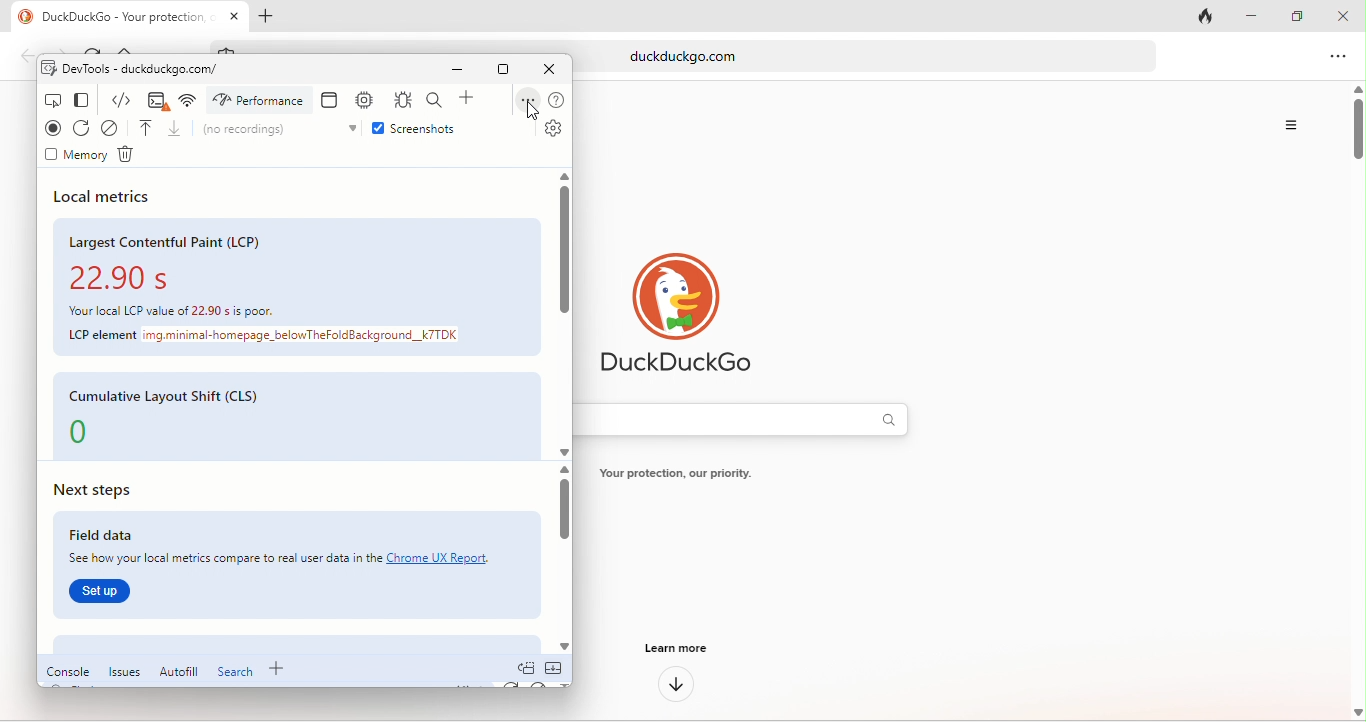 This screenshot has width=1366, height=722. I want to click on screenshots, so click(433, 128).